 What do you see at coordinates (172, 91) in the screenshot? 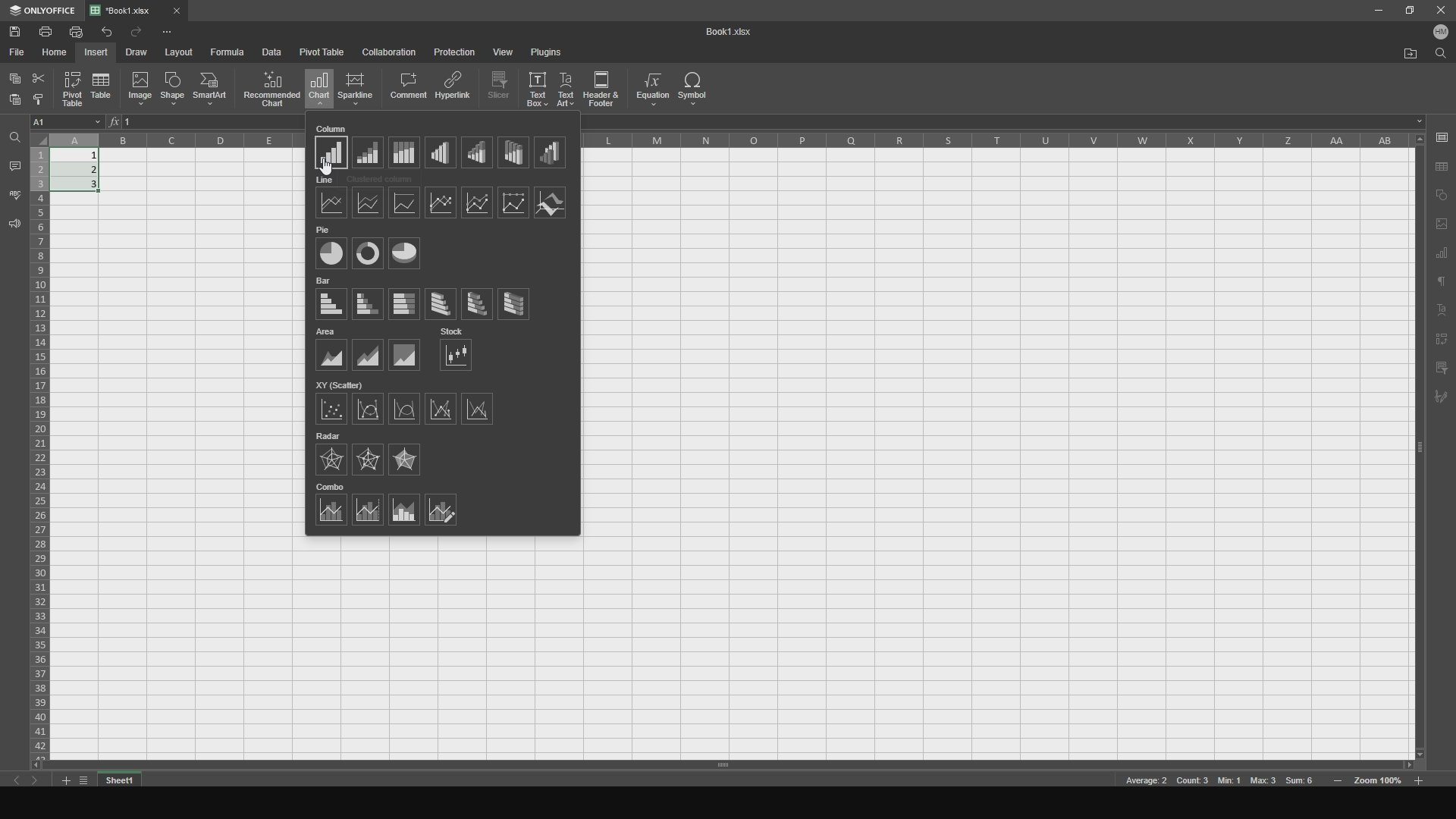
I see `shape` at bounding box center [172, 91].